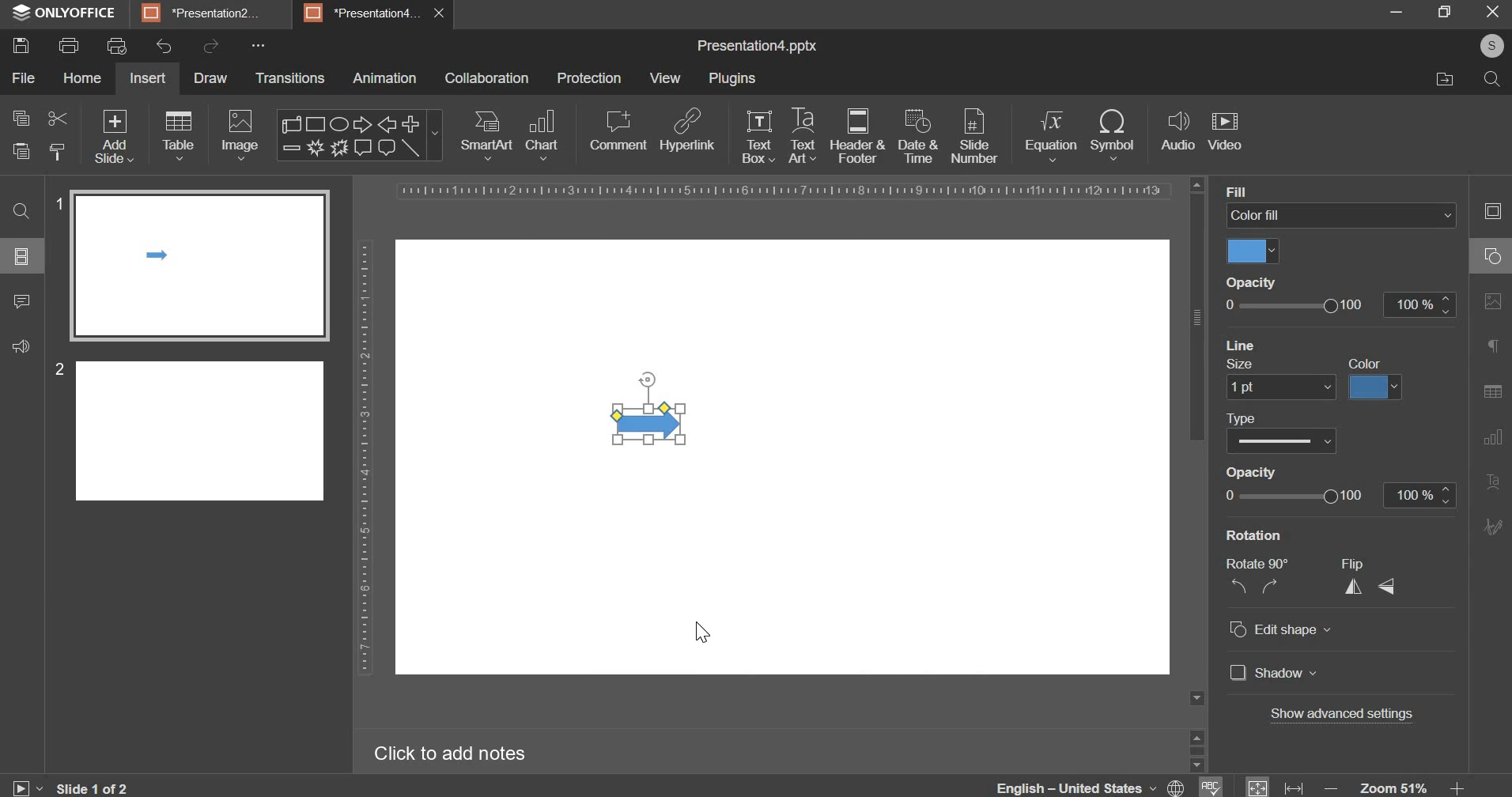 Image resolution: width=1512 pixels, height=797 pixels. What do you see at coordinates (1270, 673) in the screenshot?
I see `] Shadow` at bounding box center [1270, 673].